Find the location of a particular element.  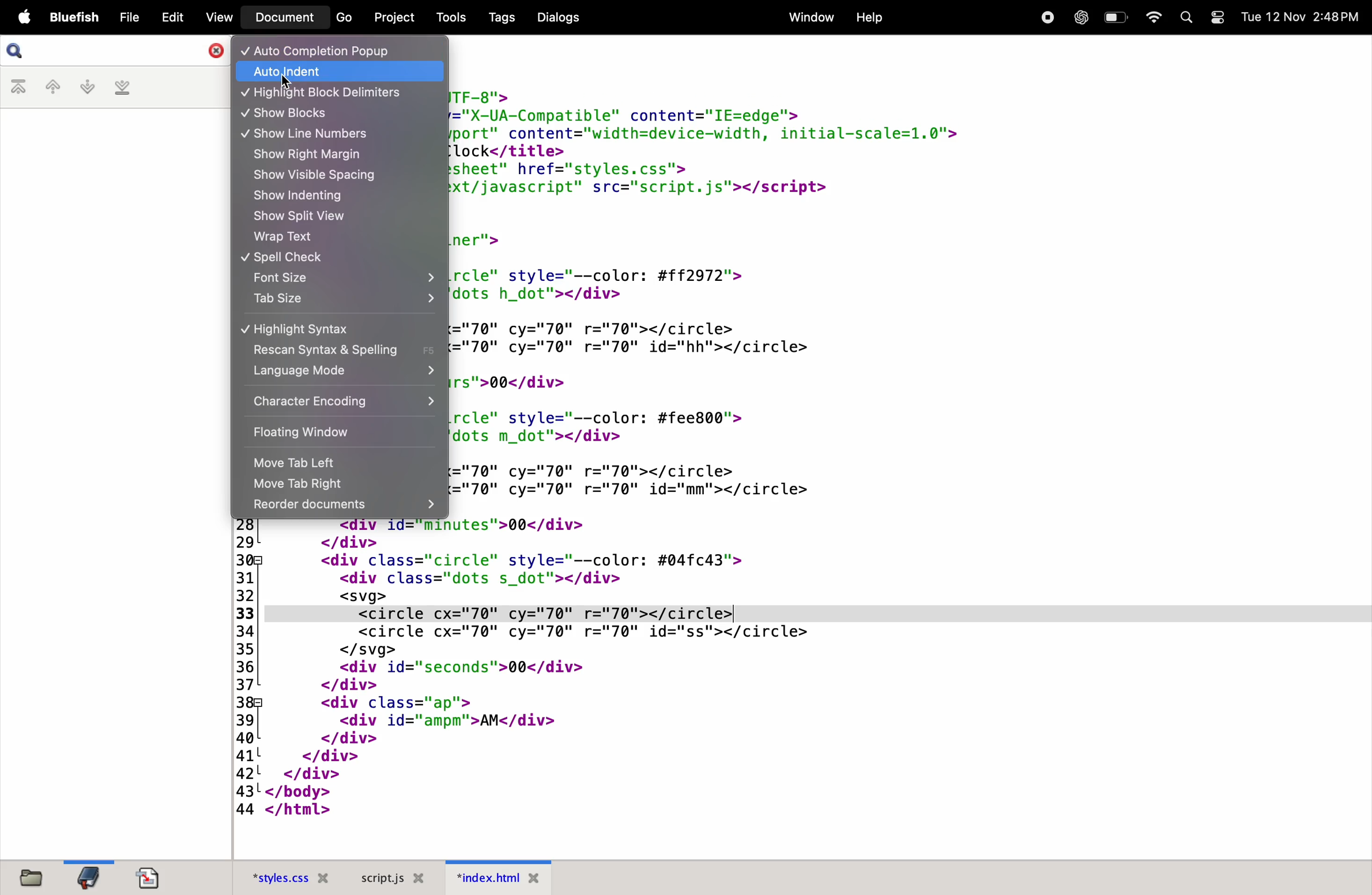

wifi is located at coordinates (1150, 17).